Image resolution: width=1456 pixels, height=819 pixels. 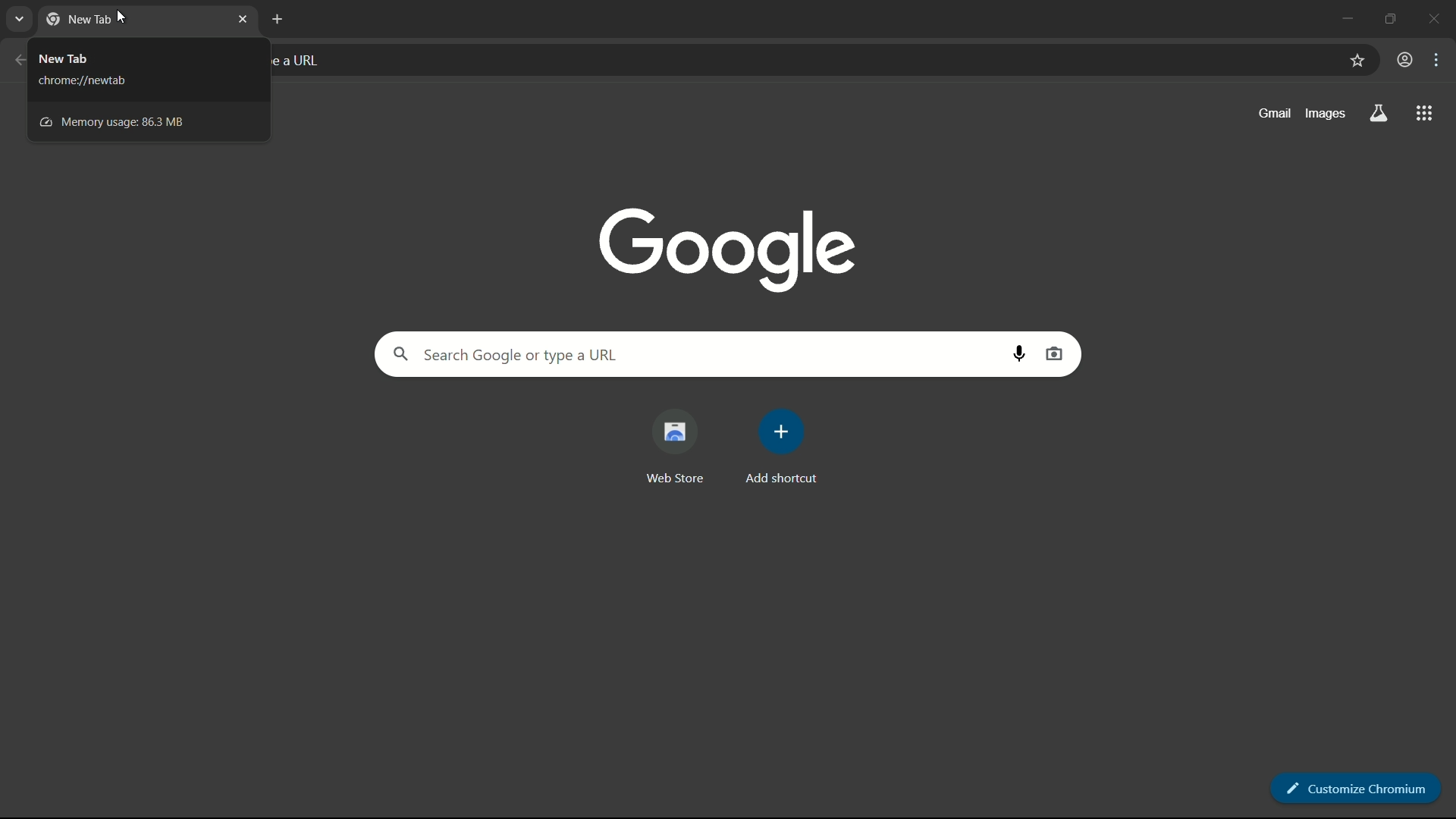 What do you see at coordinates (1323, 114) in the screenshot?
I see `images` at bounding box center [1323, 114].